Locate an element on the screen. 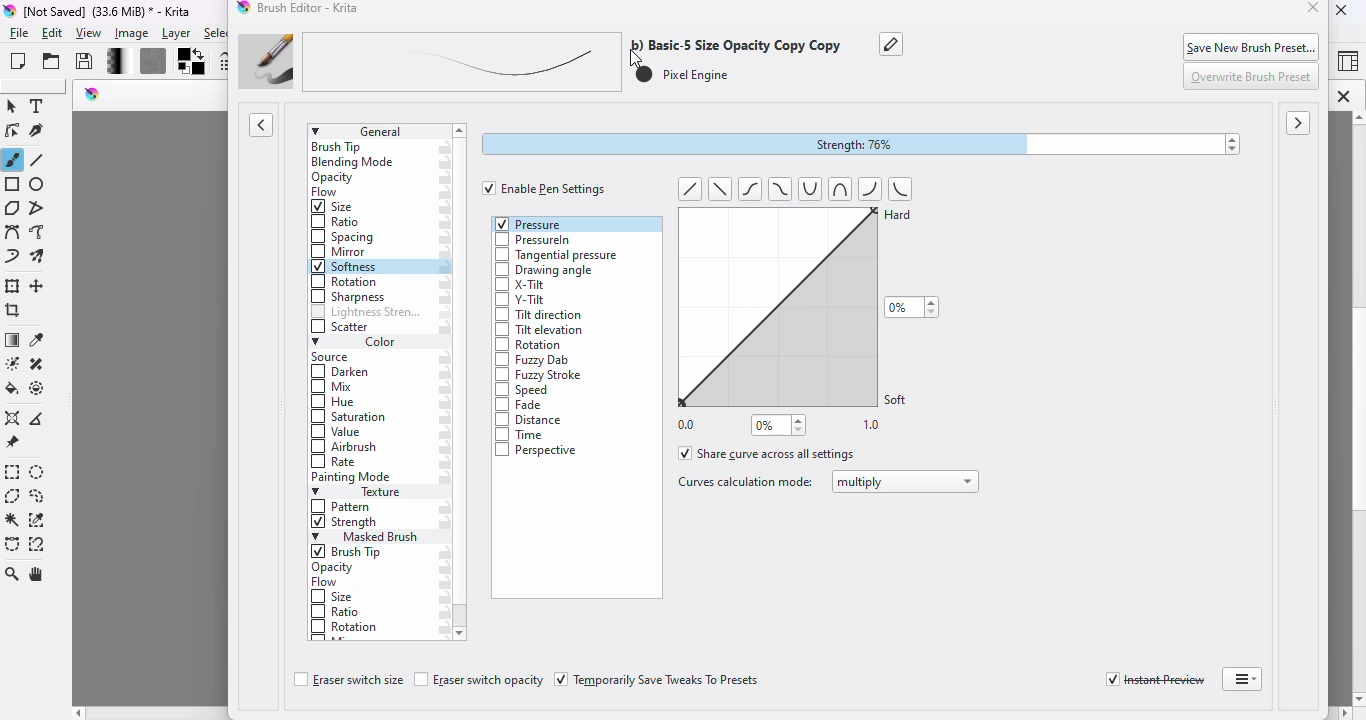 The height and width of the screenshot is (720, 1366). bezier curve selection tool is located at coordinates (13, 544).